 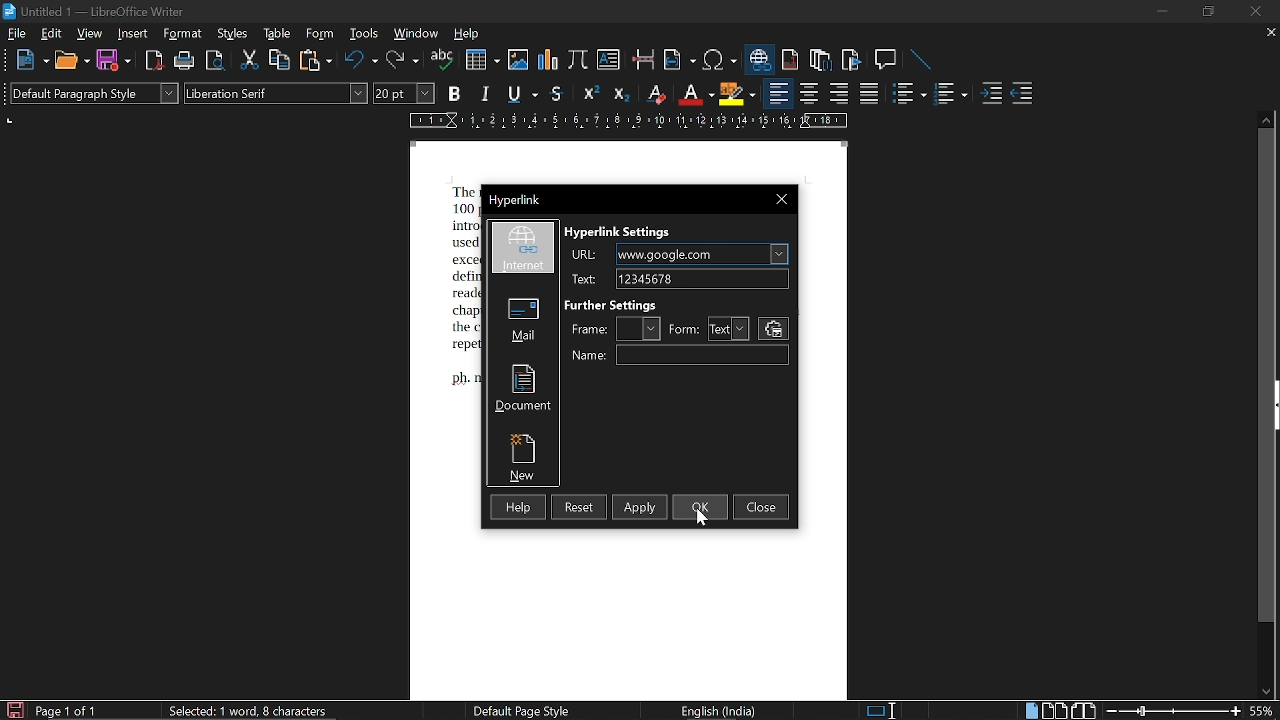 I want to click on print, so click(x=182, y=61).